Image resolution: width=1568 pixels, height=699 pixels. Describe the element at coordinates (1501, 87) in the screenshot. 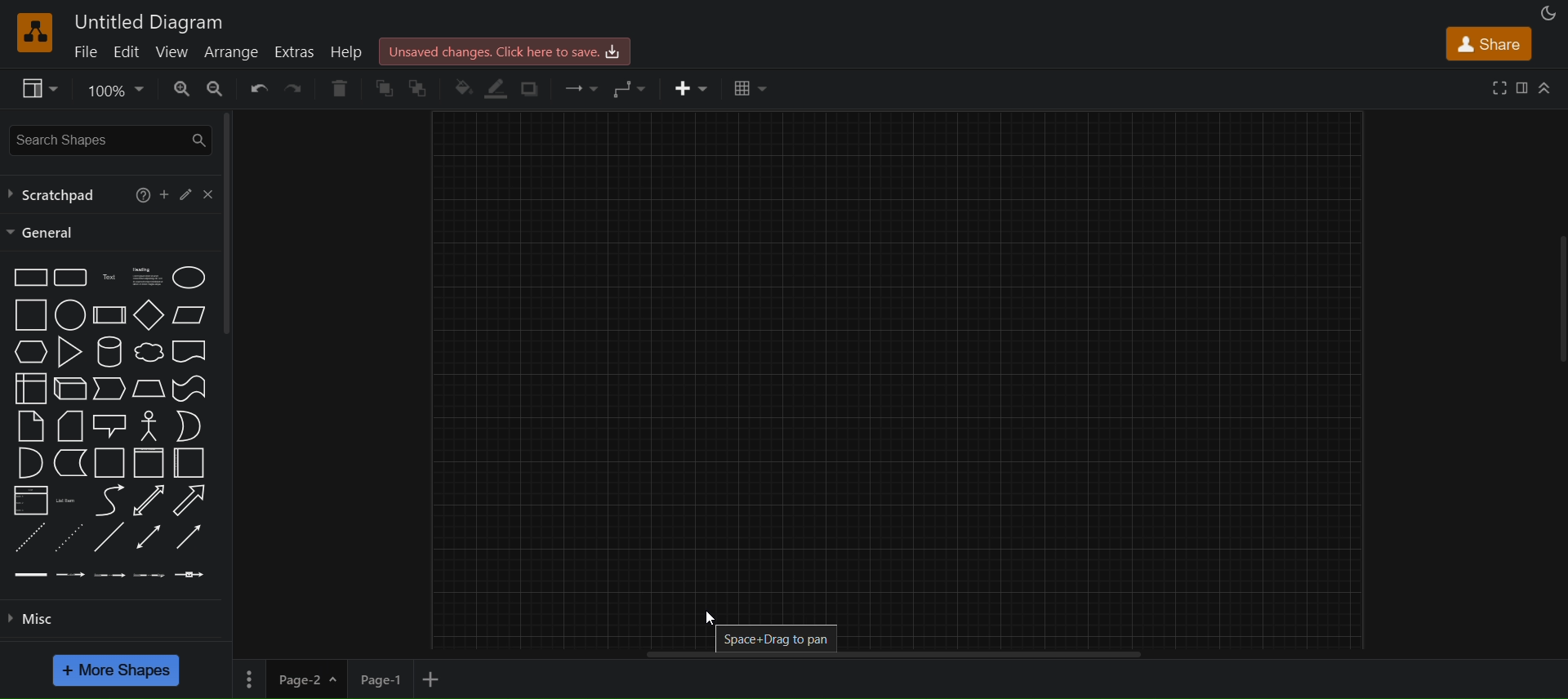

I see `full screen` at that location.